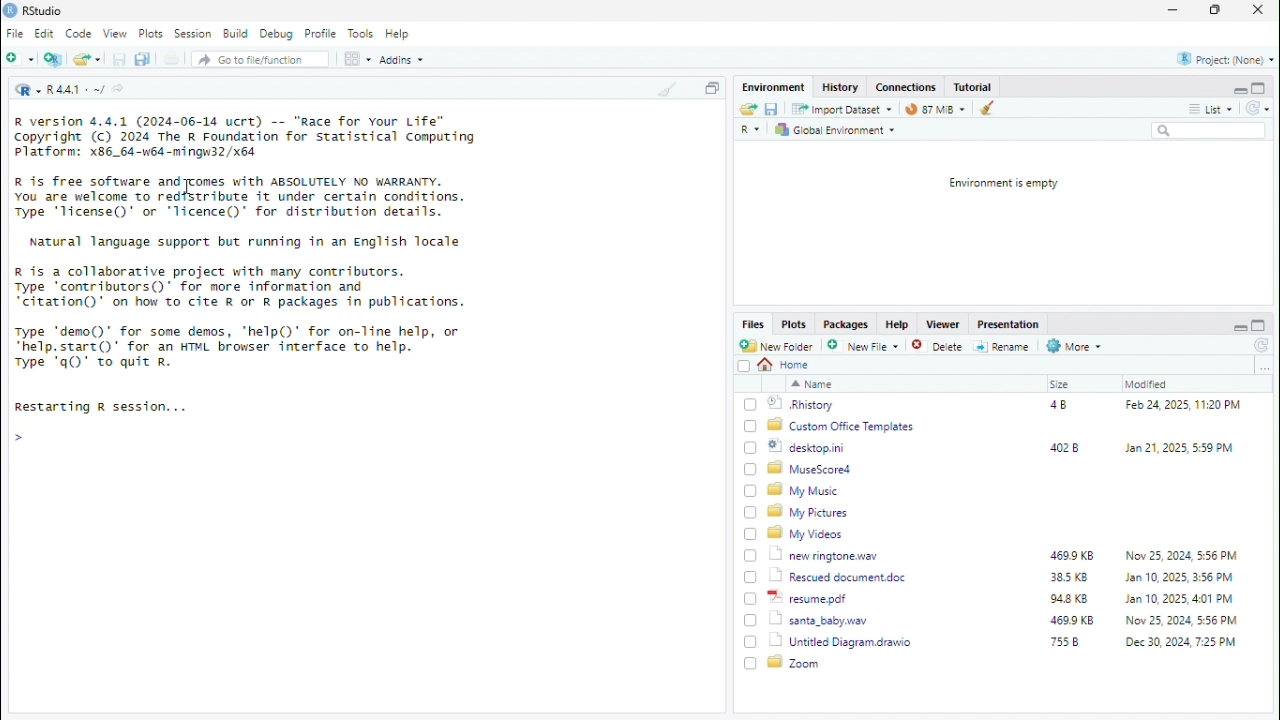  What do you see at coordinates (847, 325) in the screenshot?
I see `Packages` at bounding box center [847, 325].